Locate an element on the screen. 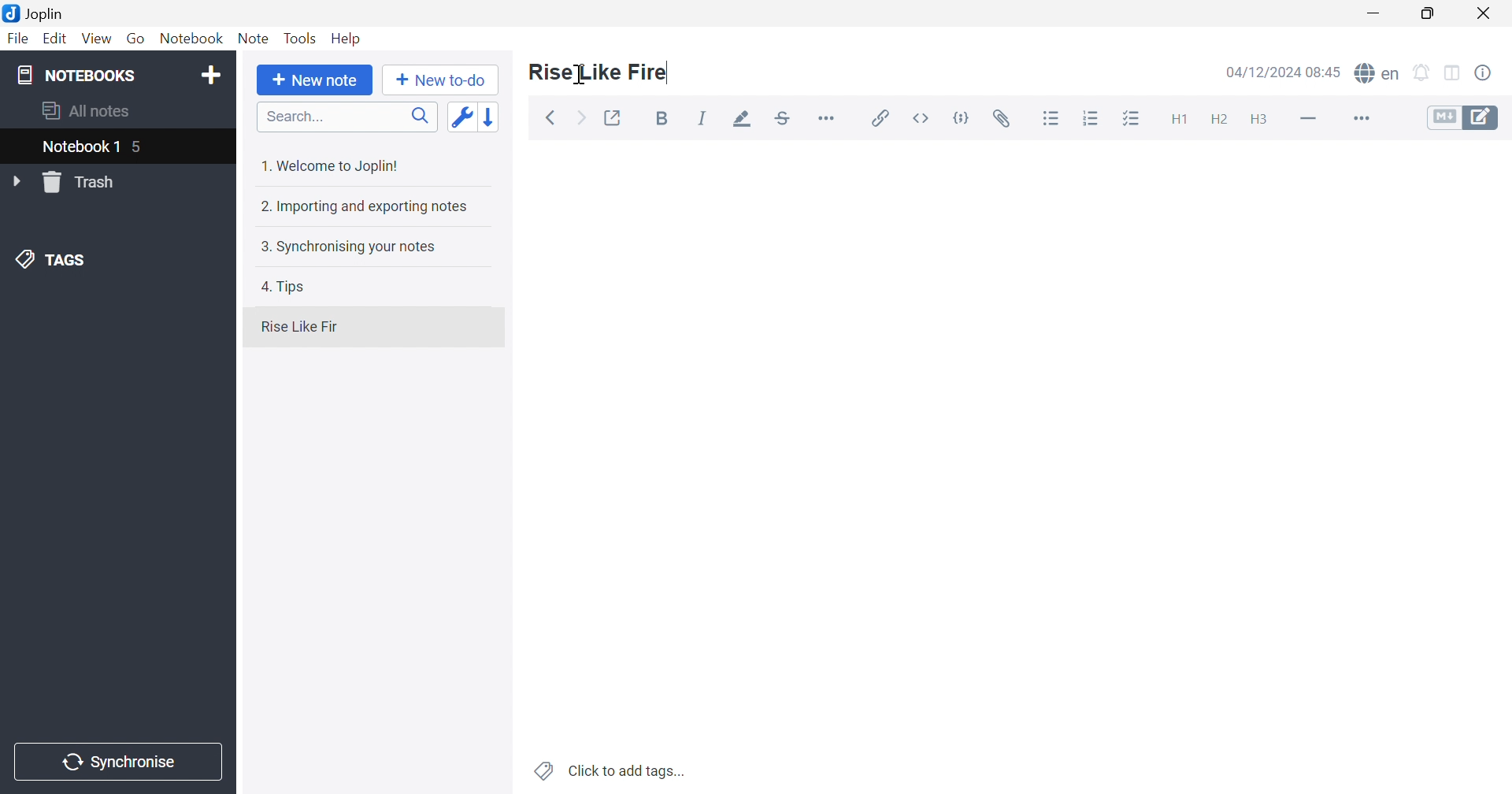 Image resolution: width=1512 pixels, height=794 pixels. Notes properties is located at coordinates (1485, 72).